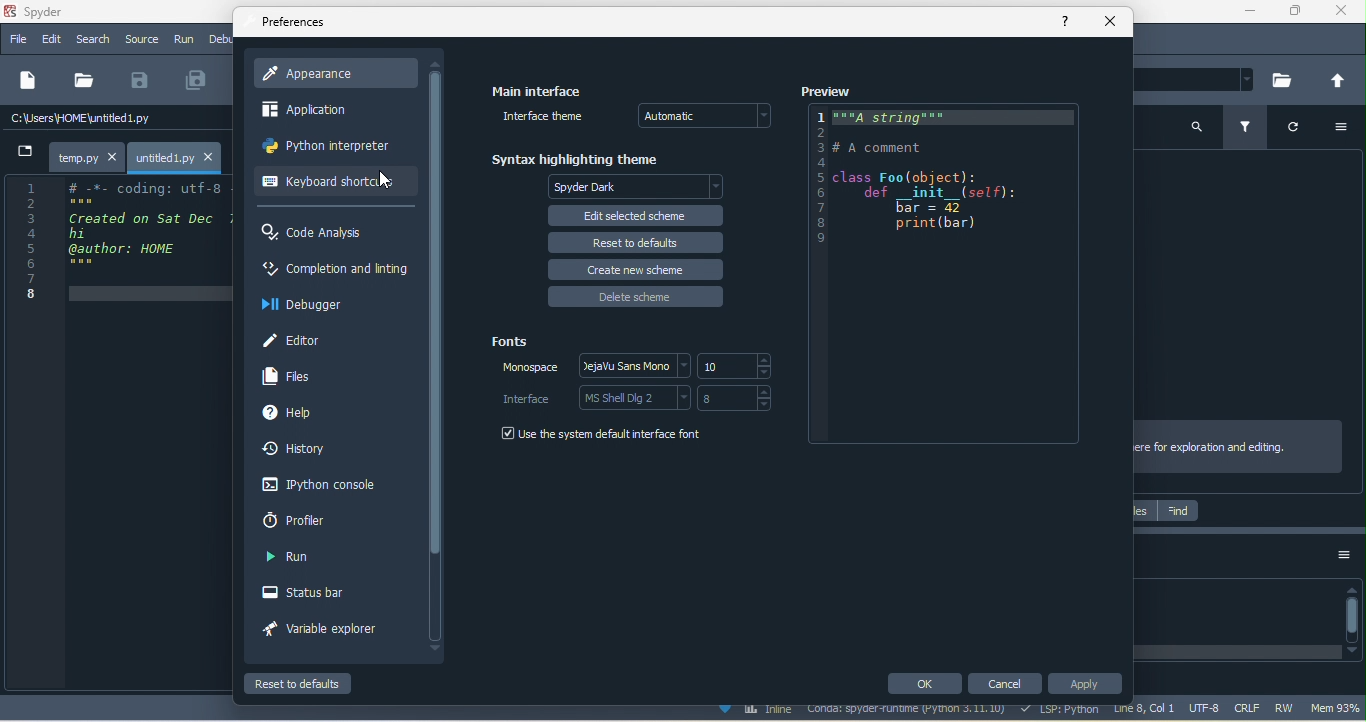 Image resolution: width=1366 pixels, height=722 pixels. Describe the element at coordinates (528, 398) in the screenshot. I see `interface` at that location.